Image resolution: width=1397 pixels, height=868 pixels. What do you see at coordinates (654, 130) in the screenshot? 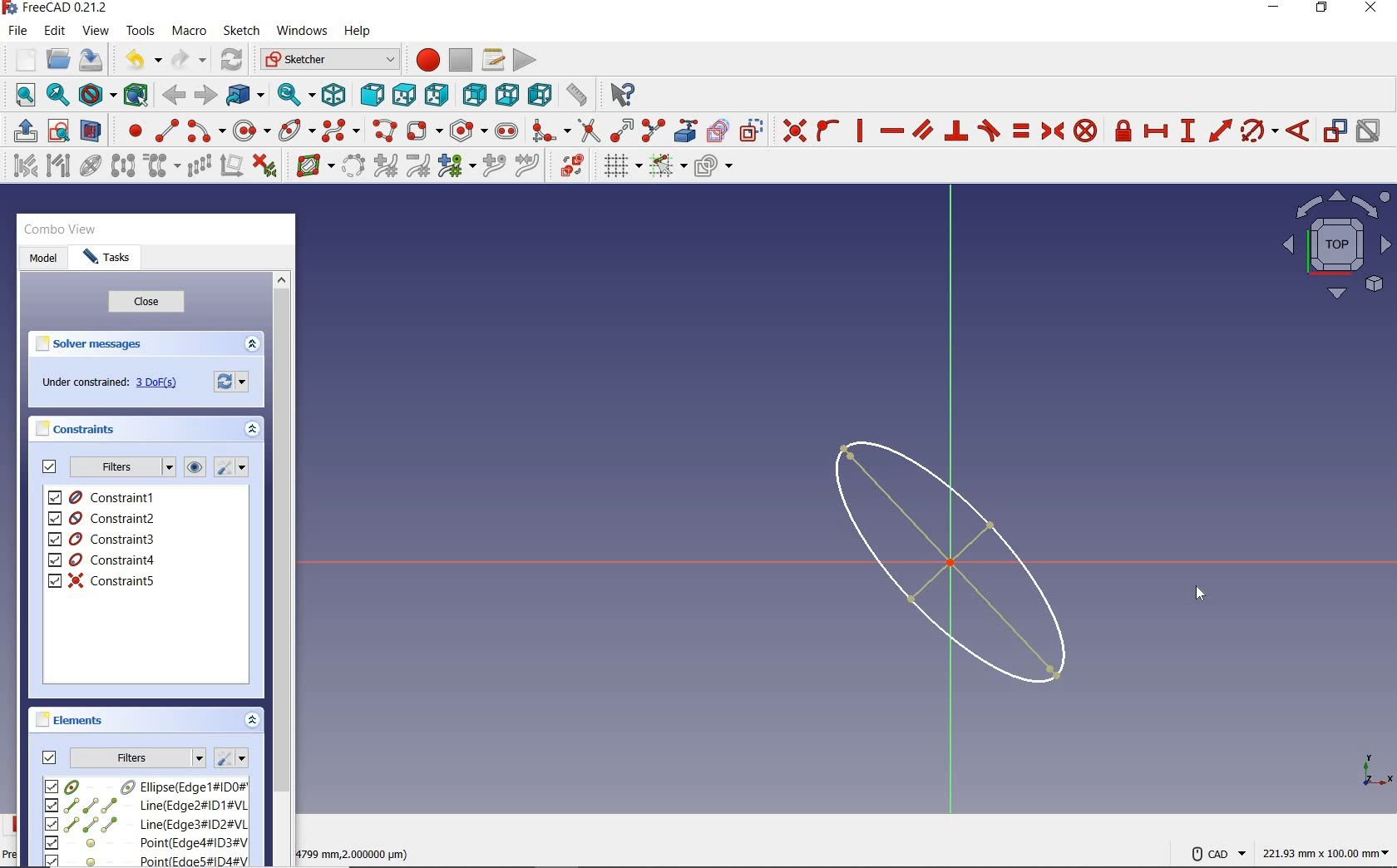
I see `split edge` at bounding box center [654, 130].